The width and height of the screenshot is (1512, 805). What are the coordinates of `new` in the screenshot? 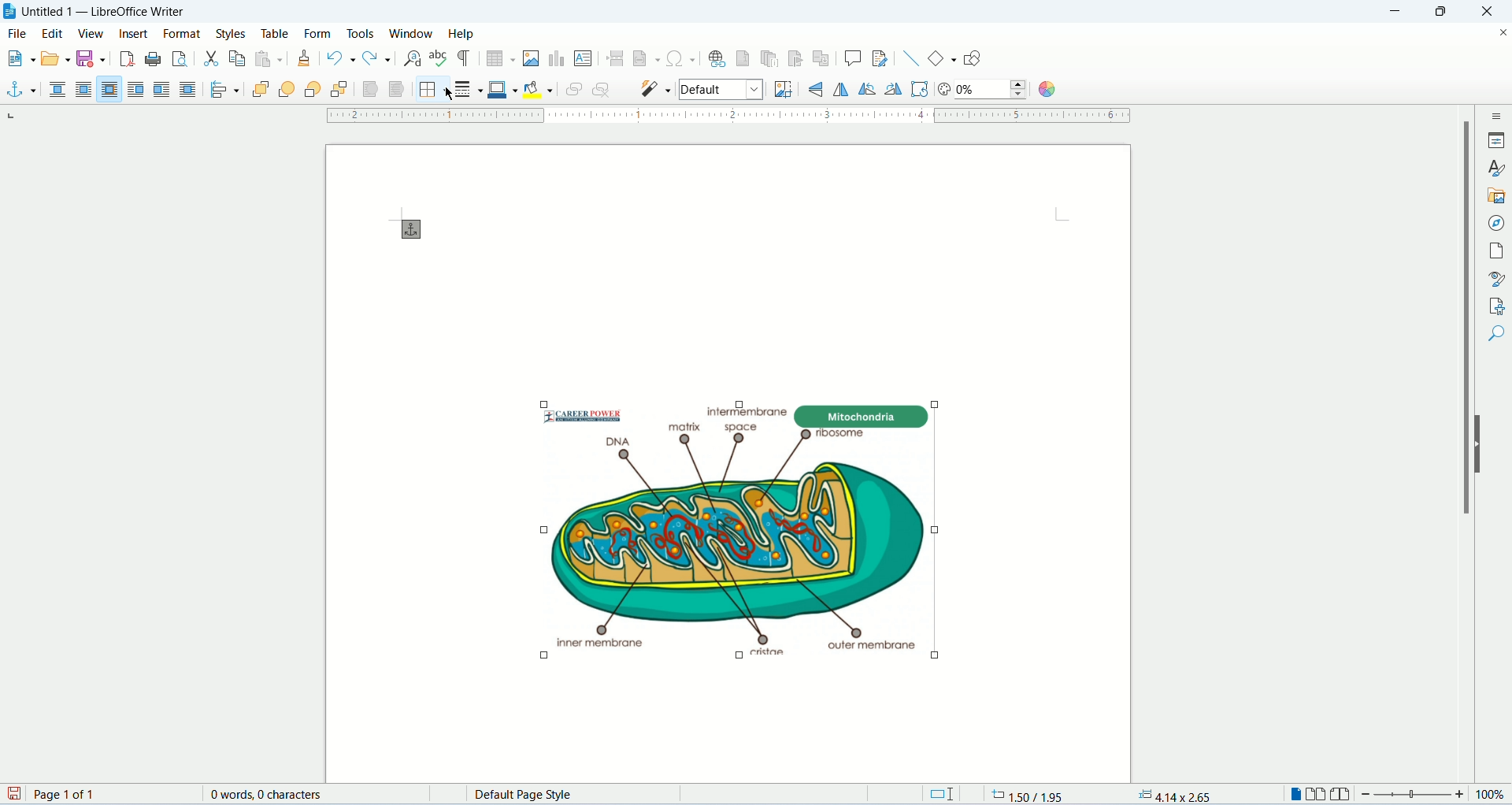 It's located at (19, 57).